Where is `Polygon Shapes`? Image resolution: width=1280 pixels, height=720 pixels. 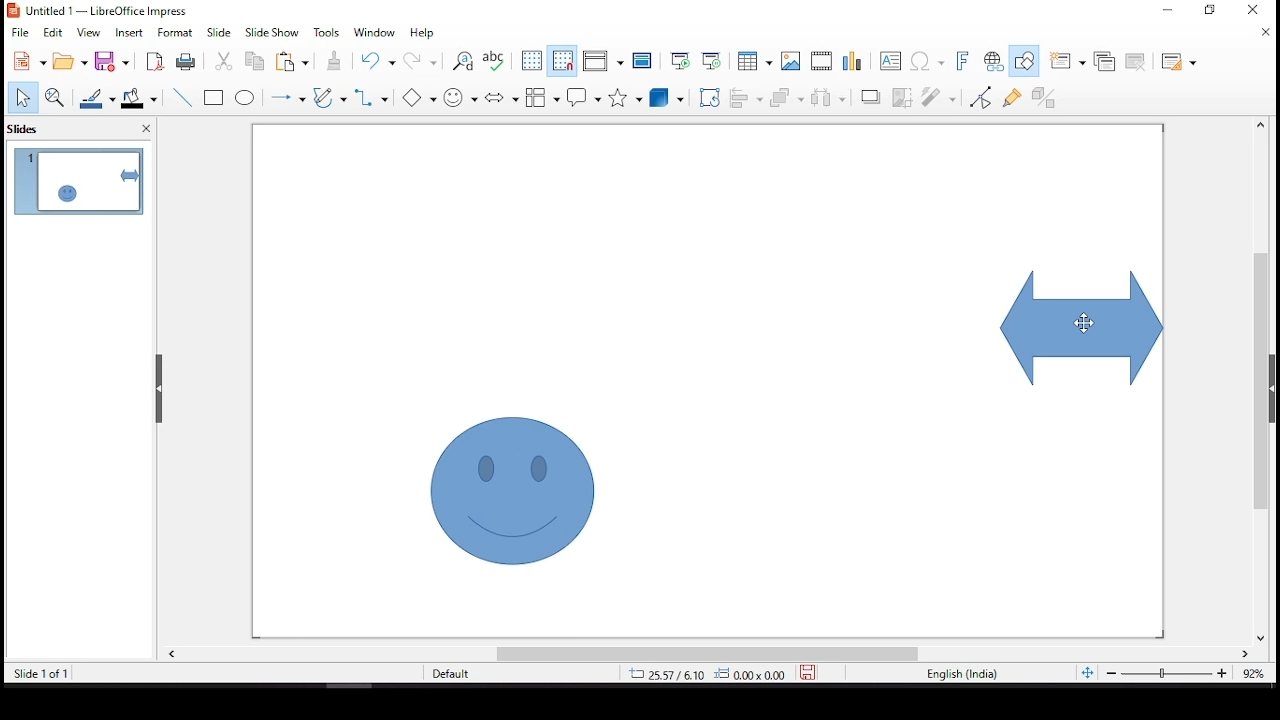
Polygon Shapes is located at coordinates (418, 98).